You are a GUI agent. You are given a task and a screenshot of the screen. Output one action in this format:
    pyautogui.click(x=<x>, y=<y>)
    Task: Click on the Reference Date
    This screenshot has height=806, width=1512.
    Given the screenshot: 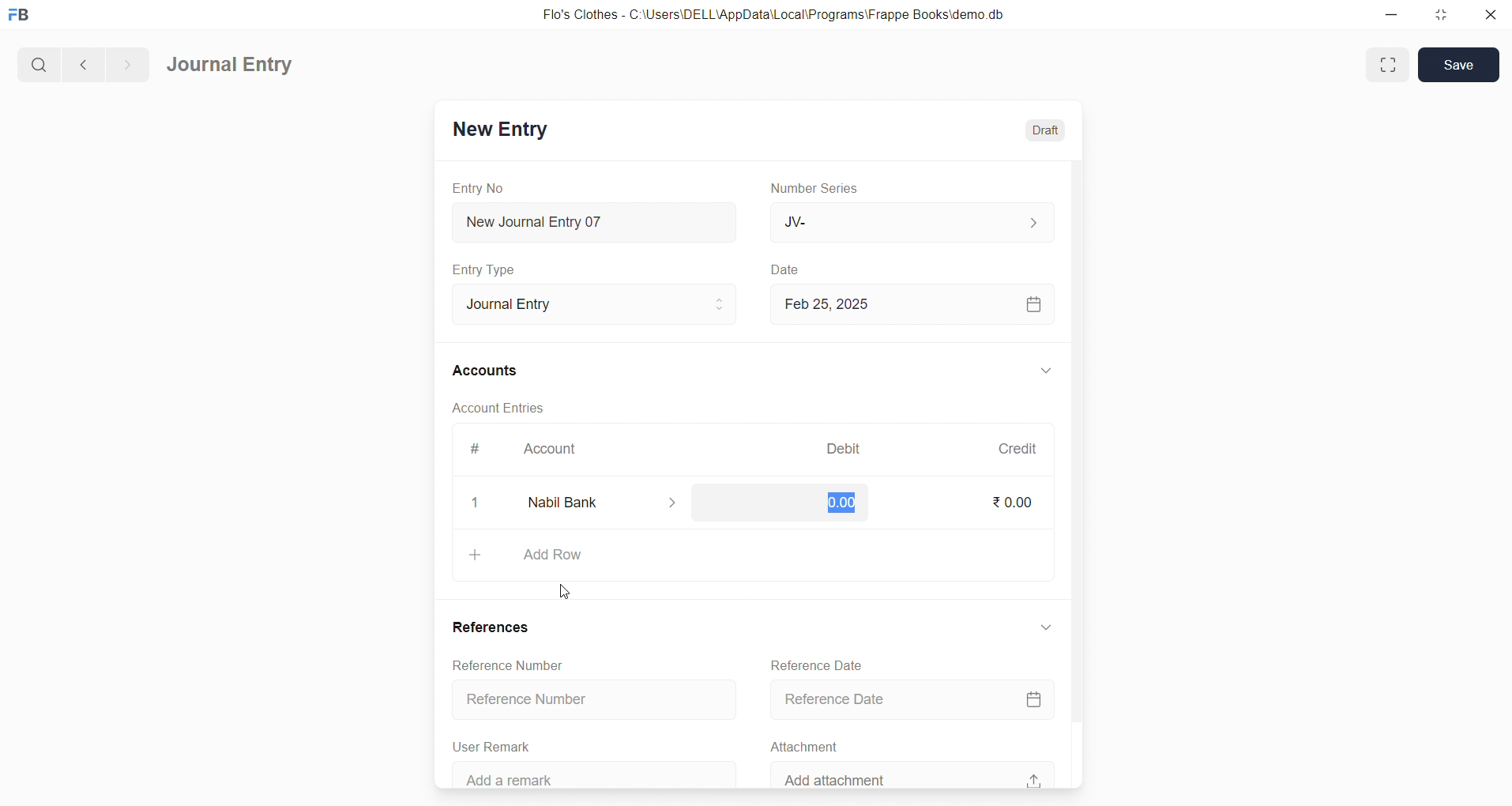 What is the action you would take?
    pyautogui.click(x=917, y=698)
    